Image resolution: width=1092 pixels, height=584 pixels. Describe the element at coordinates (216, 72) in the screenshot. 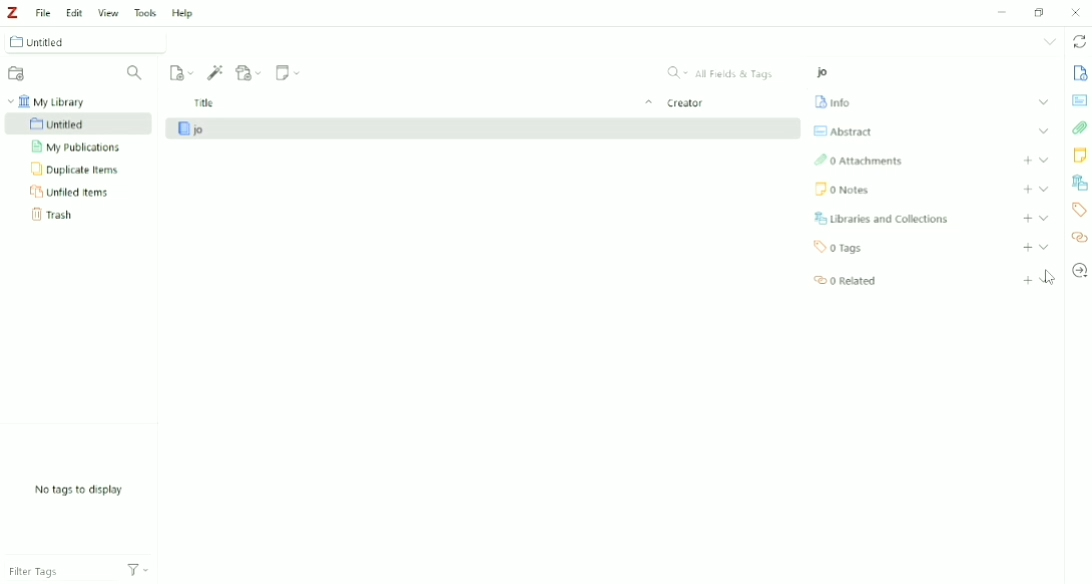

I see `Add Item (s) by Identifier` at that location.